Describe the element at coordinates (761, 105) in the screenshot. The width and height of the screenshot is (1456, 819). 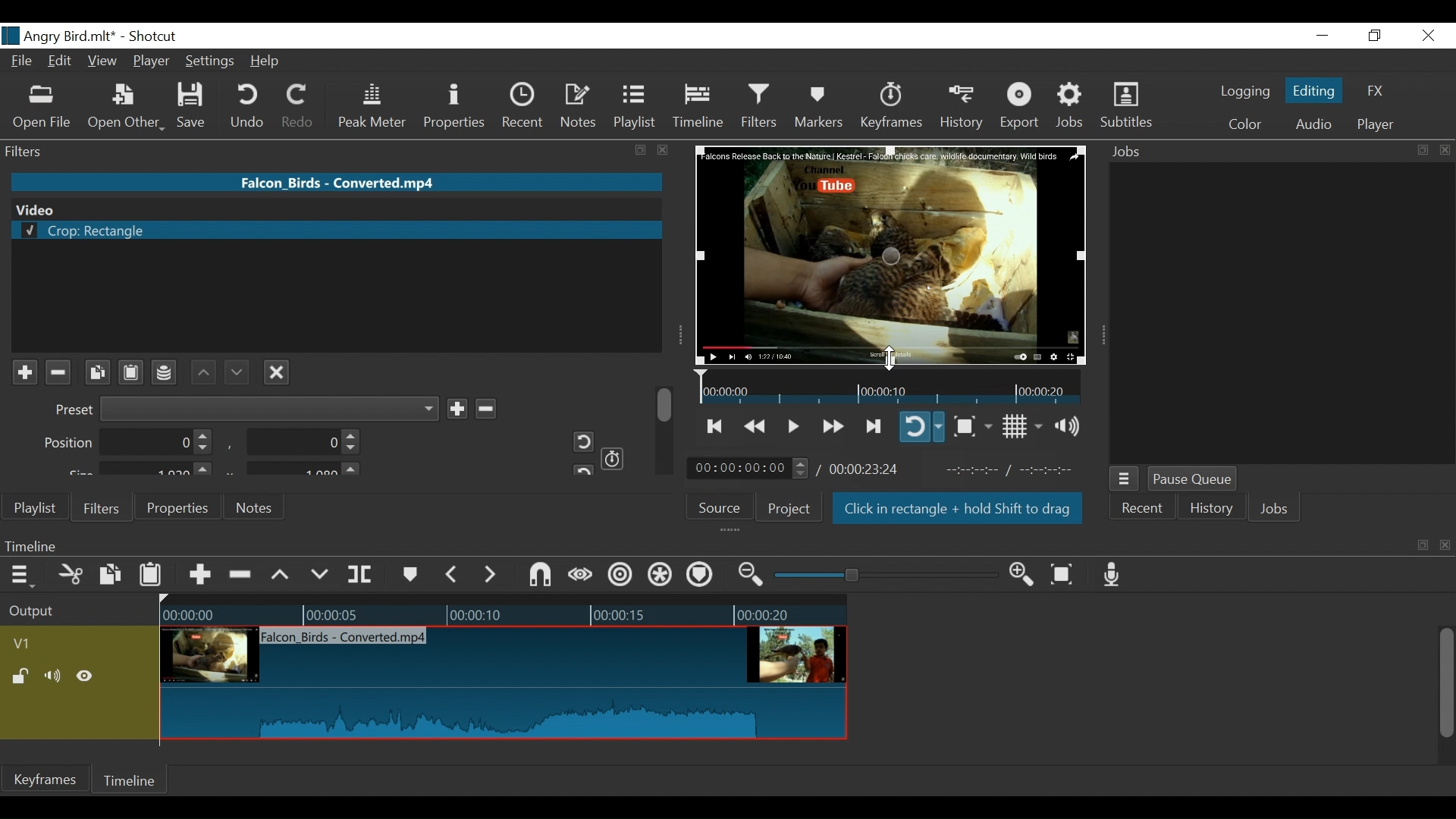
I see `Filters` at that location.